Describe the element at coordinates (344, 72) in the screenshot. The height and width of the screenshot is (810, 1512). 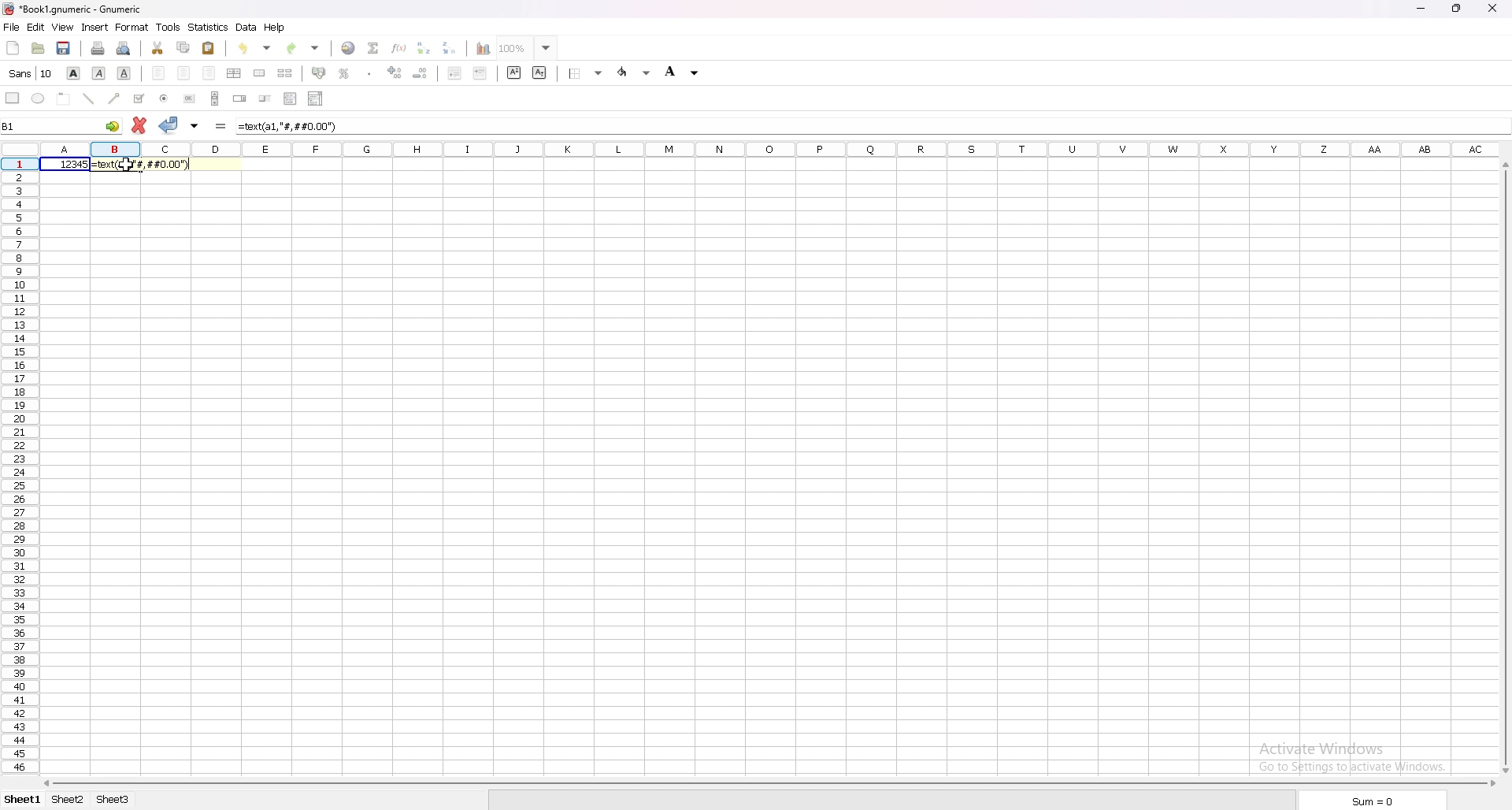
I see `percentage` at that location.